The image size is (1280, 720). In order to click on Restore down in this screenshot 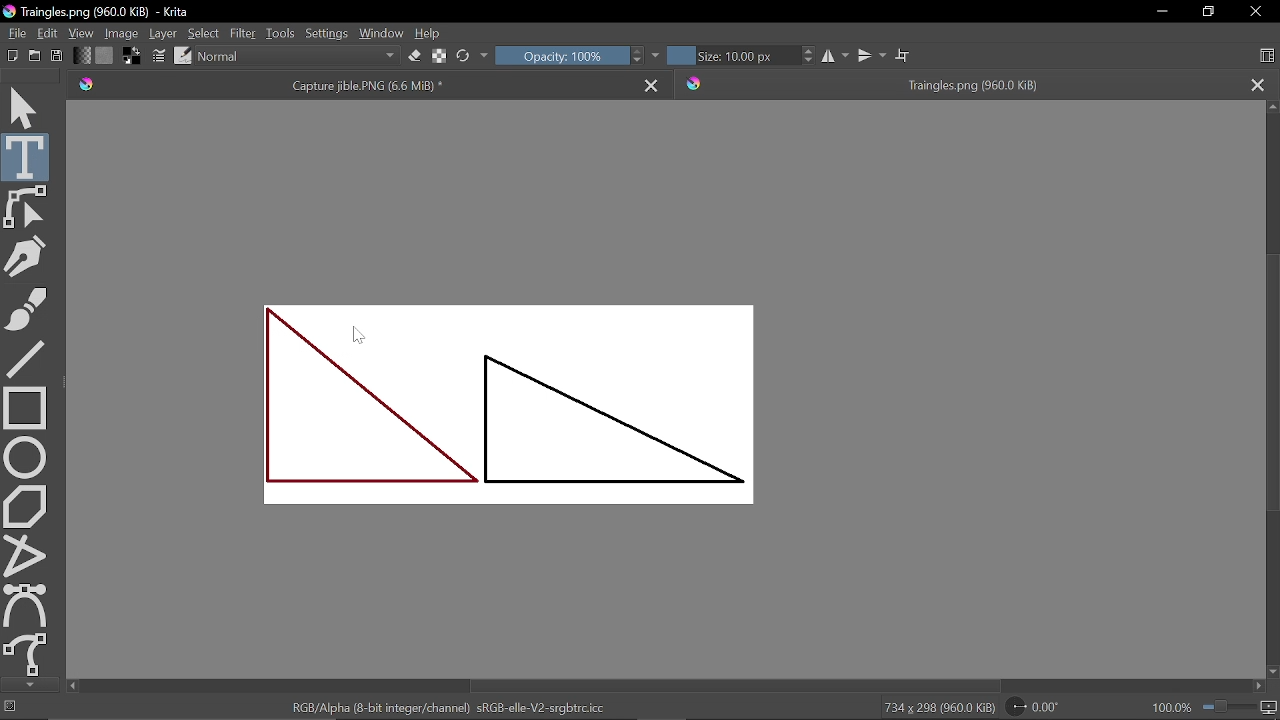, I will do `click(1211, 13)`.